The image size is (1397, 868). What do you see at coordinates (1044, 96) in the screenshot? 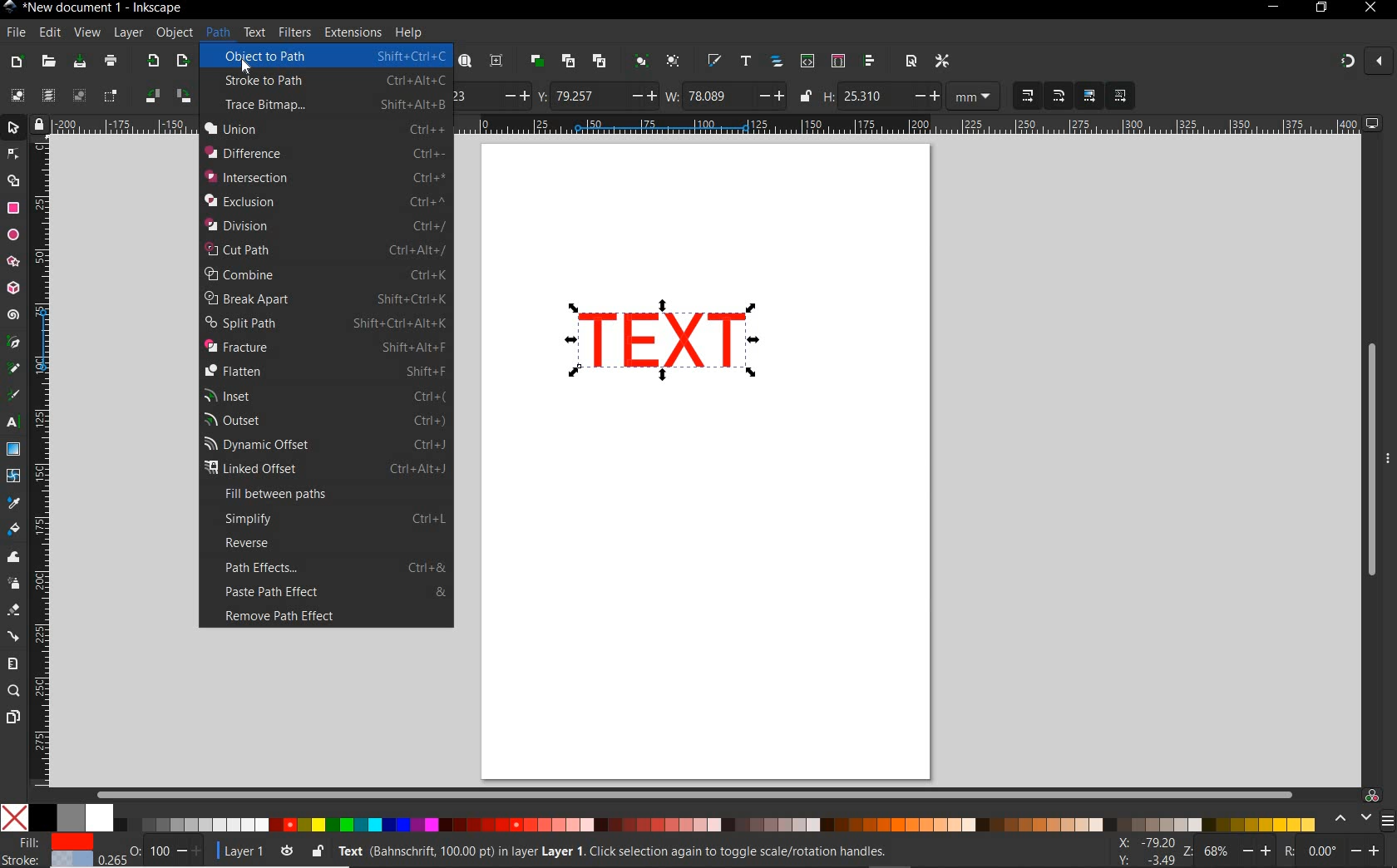
I see `SCALING` at bounding box center [1044, 96].